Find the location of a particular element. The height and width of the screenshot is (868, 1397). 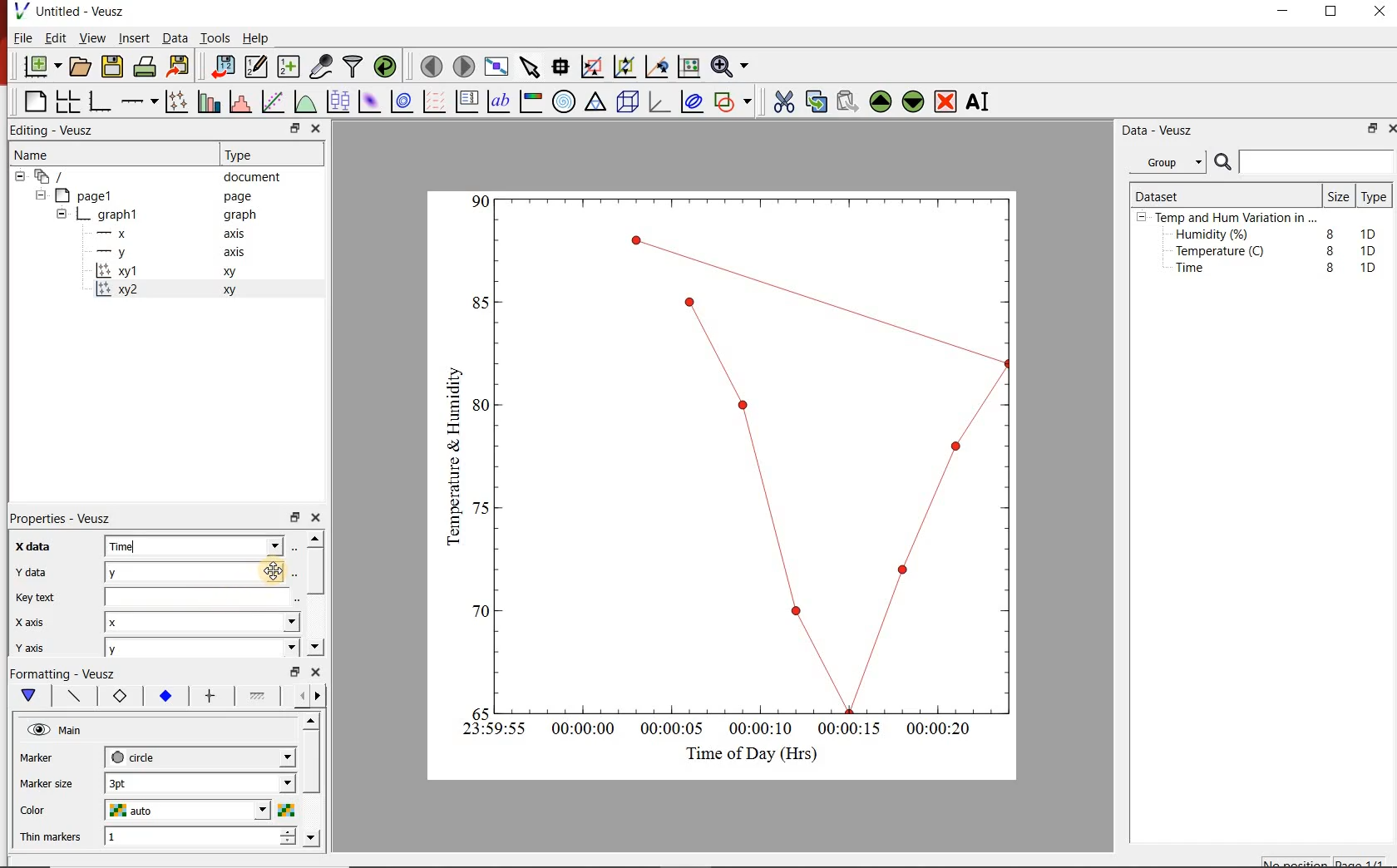

Export to graphics format is located at coordinates (180, 66).